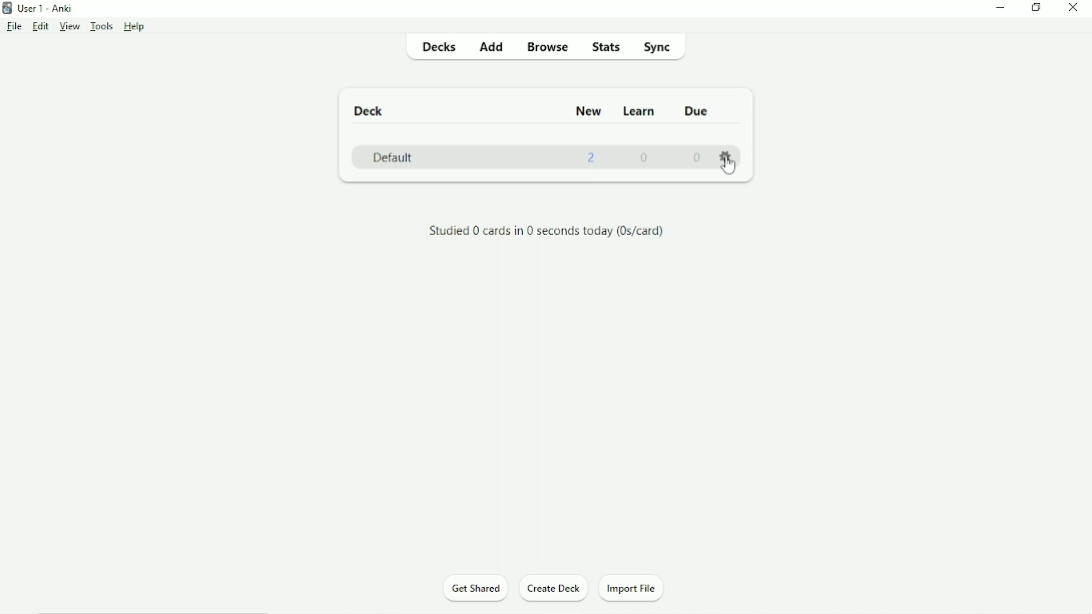  What do you see at coordinates (1003, 7) in the screenshot?
I see `Minimize` at bounding box center [1003, 7].